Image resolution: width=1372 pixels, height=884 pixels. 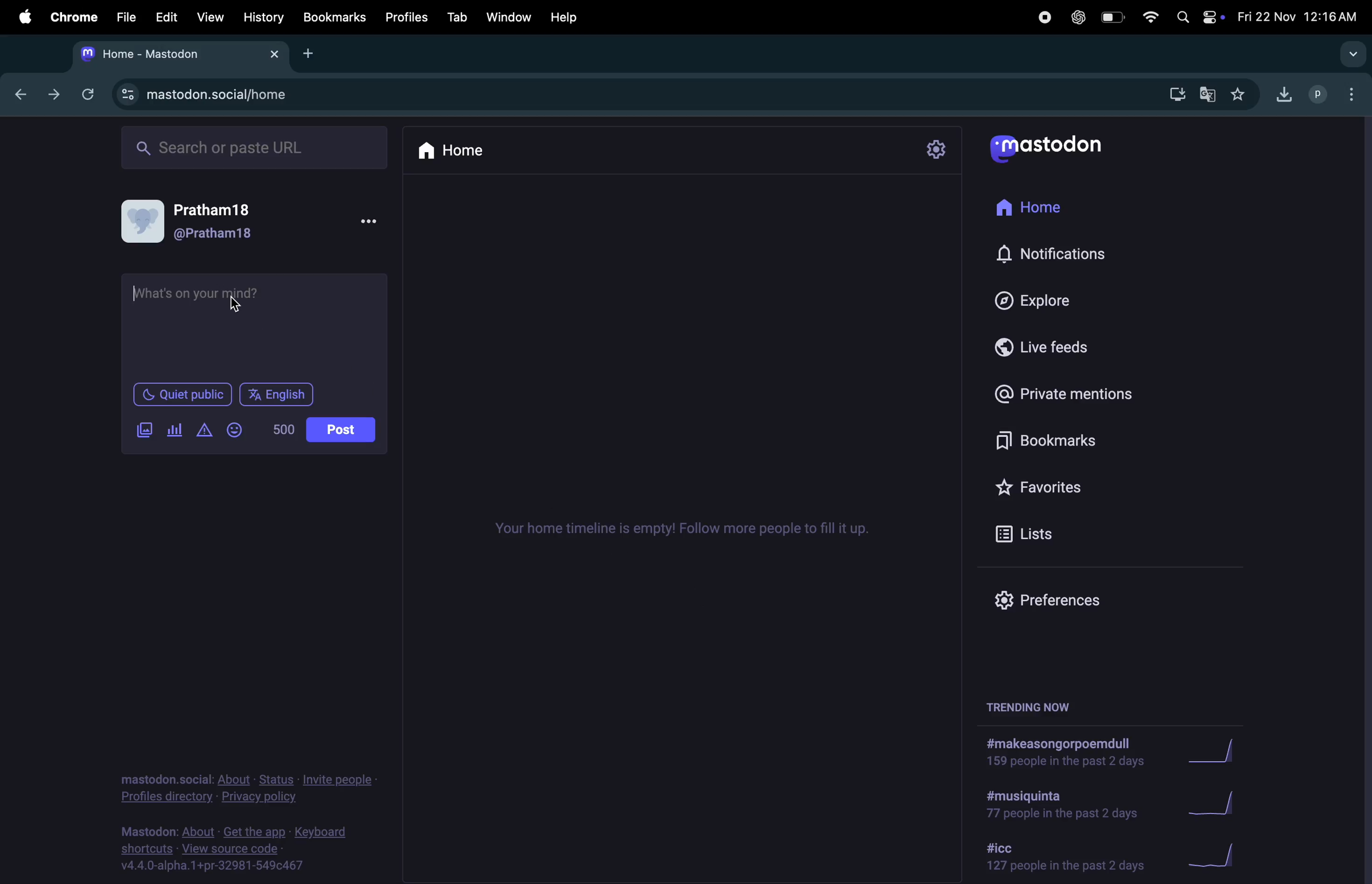 I want to click on book mark, so click(x=1056, y=441).